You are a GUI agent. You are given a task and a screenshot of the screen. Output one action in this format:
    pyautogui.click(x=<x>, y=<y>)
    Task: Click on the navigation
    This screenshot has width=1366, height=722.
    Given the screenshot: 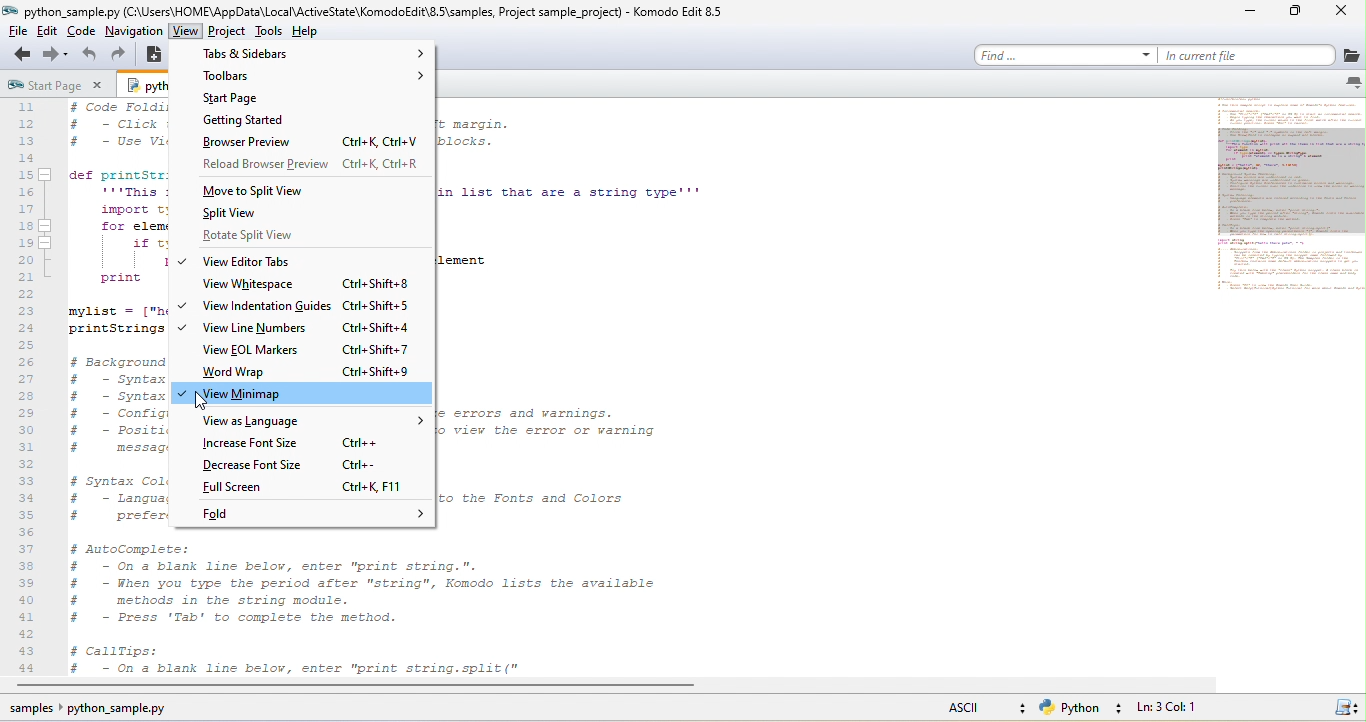 What is the action you would take?
    pyautogui.click(x=132, y=36)
    